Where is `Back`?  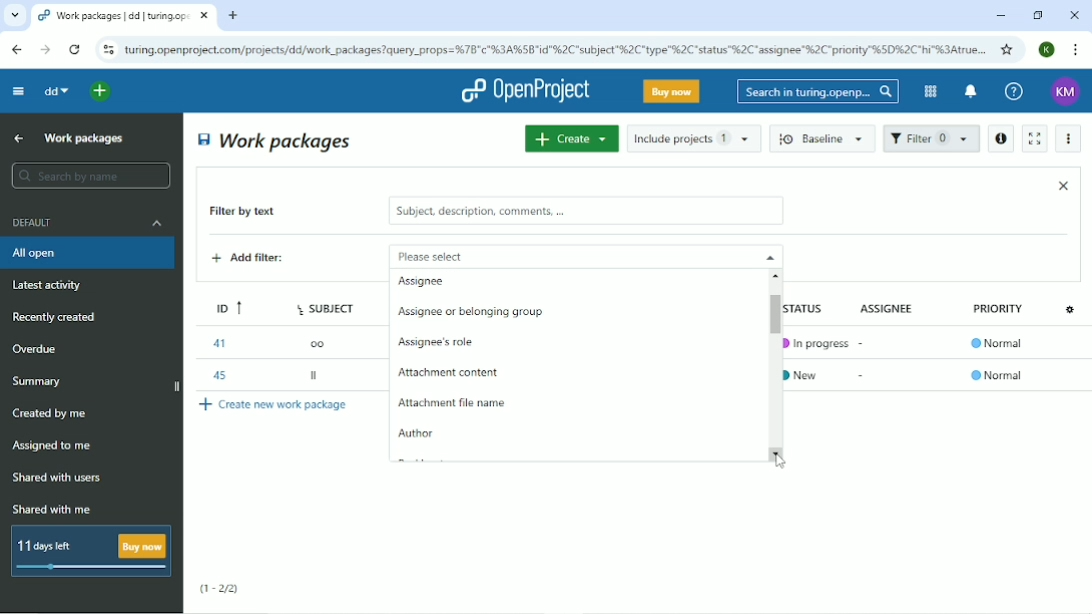 Back is located at coordinates (16, 49).